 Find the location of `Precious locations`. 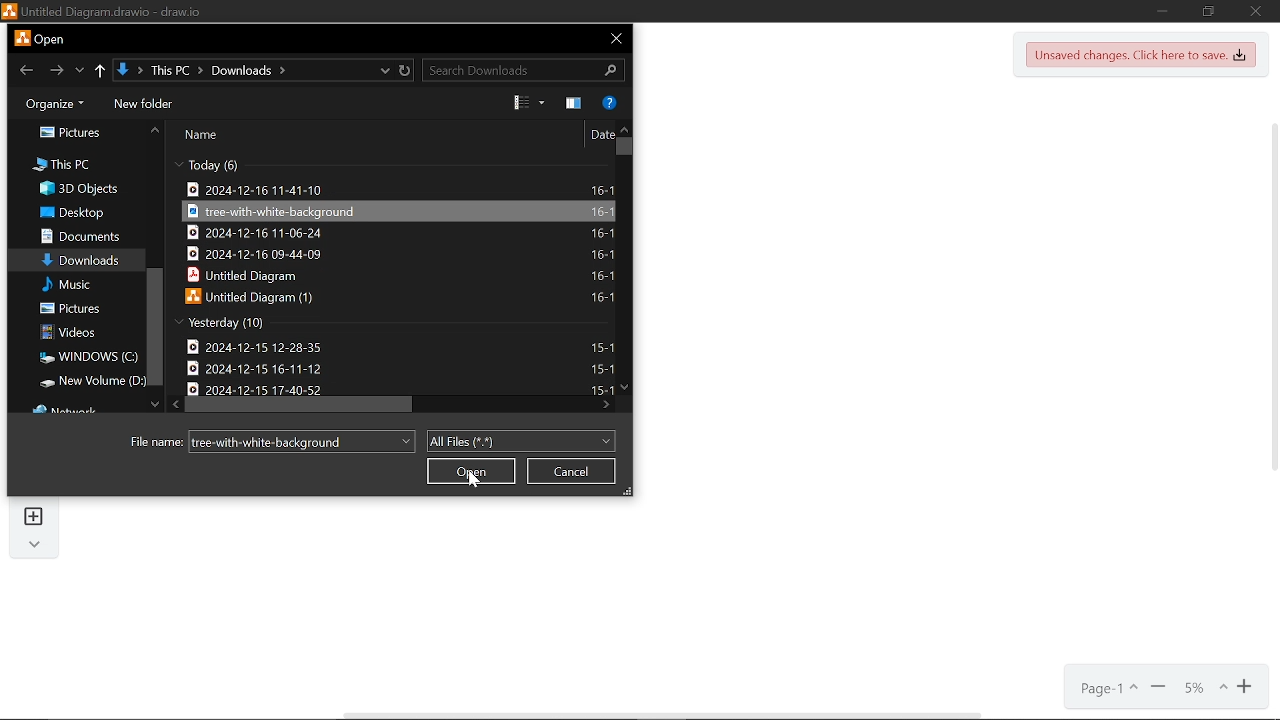

Precious locations is located at coordinates (386, 72).